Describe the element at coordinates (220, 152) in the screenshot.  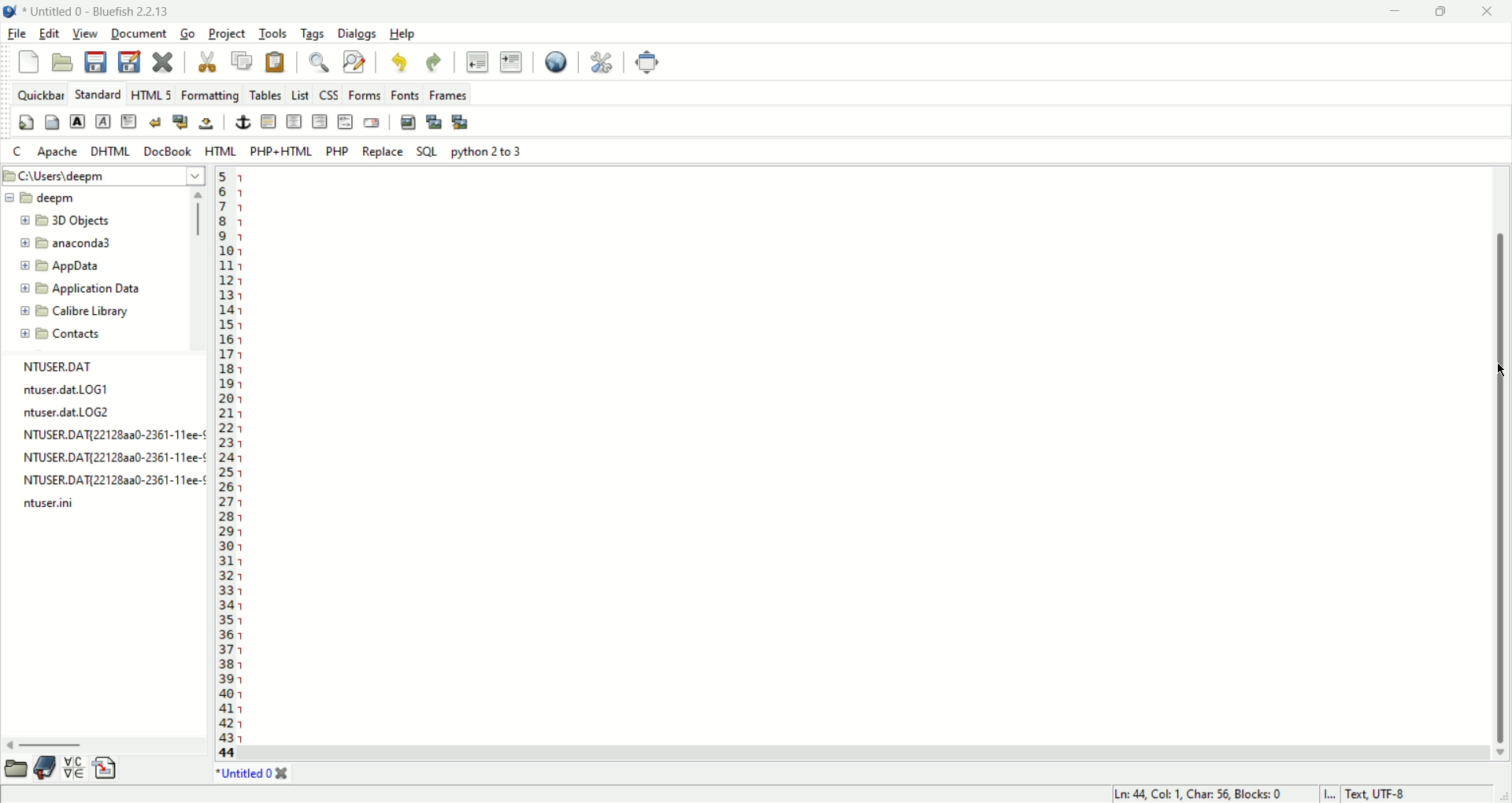
I see `HTML` at that location.